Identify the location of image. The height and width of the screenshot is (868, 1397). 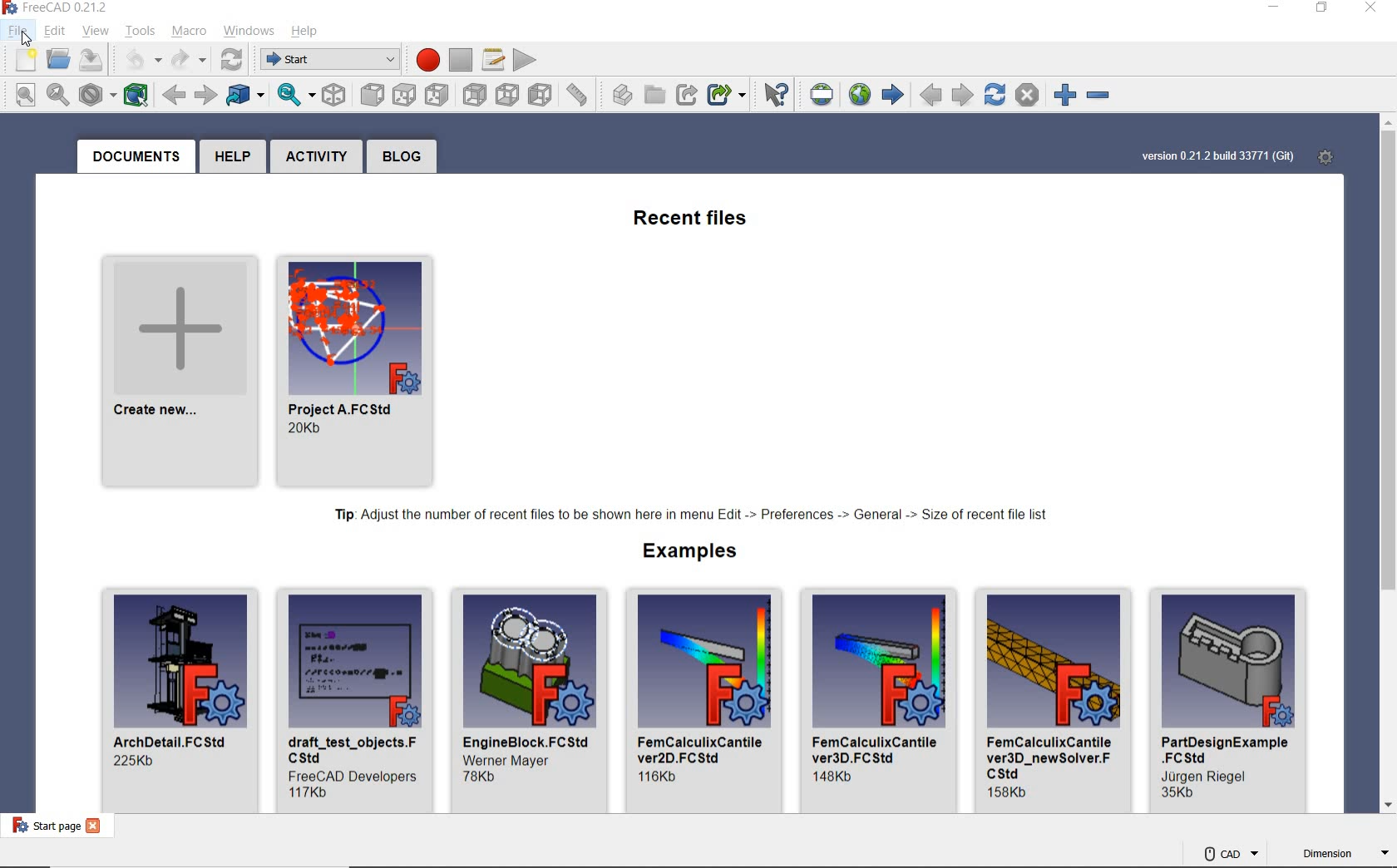
(531, 659).